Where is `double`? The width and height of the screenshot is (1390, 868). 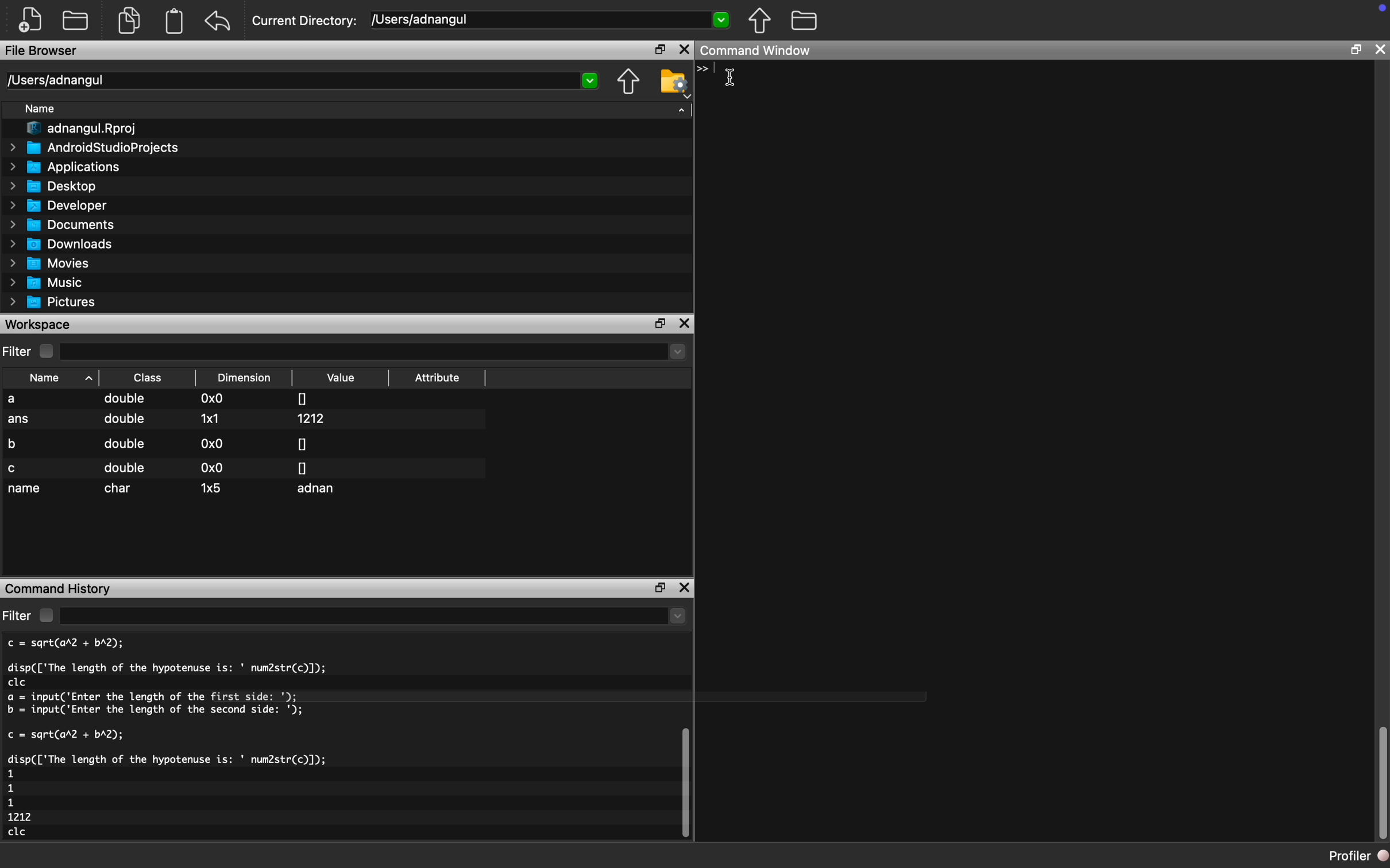
double is located at coordinates (125, 468).